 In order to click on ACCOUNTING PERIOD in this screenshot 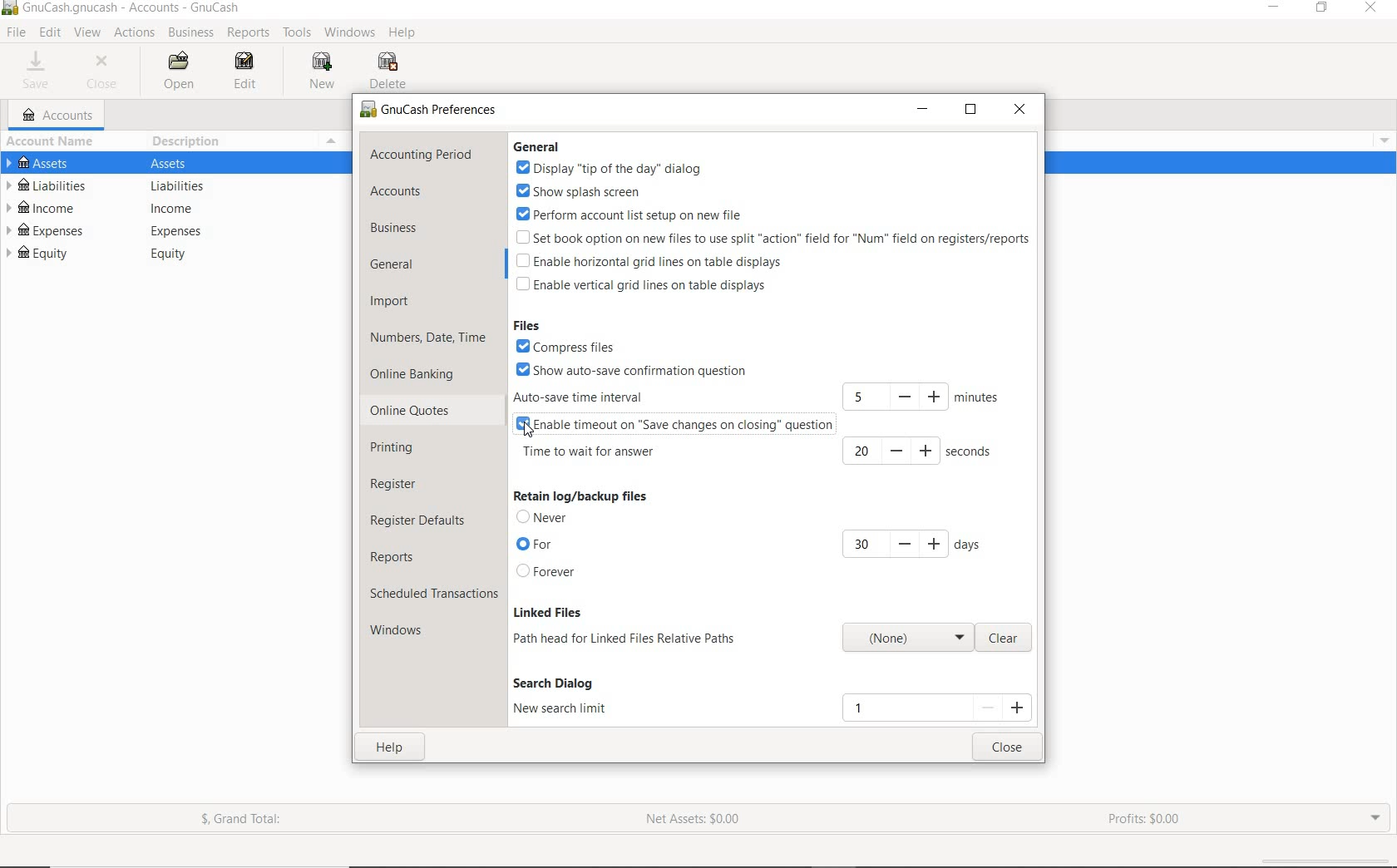, I will do `click(423, 155)`.